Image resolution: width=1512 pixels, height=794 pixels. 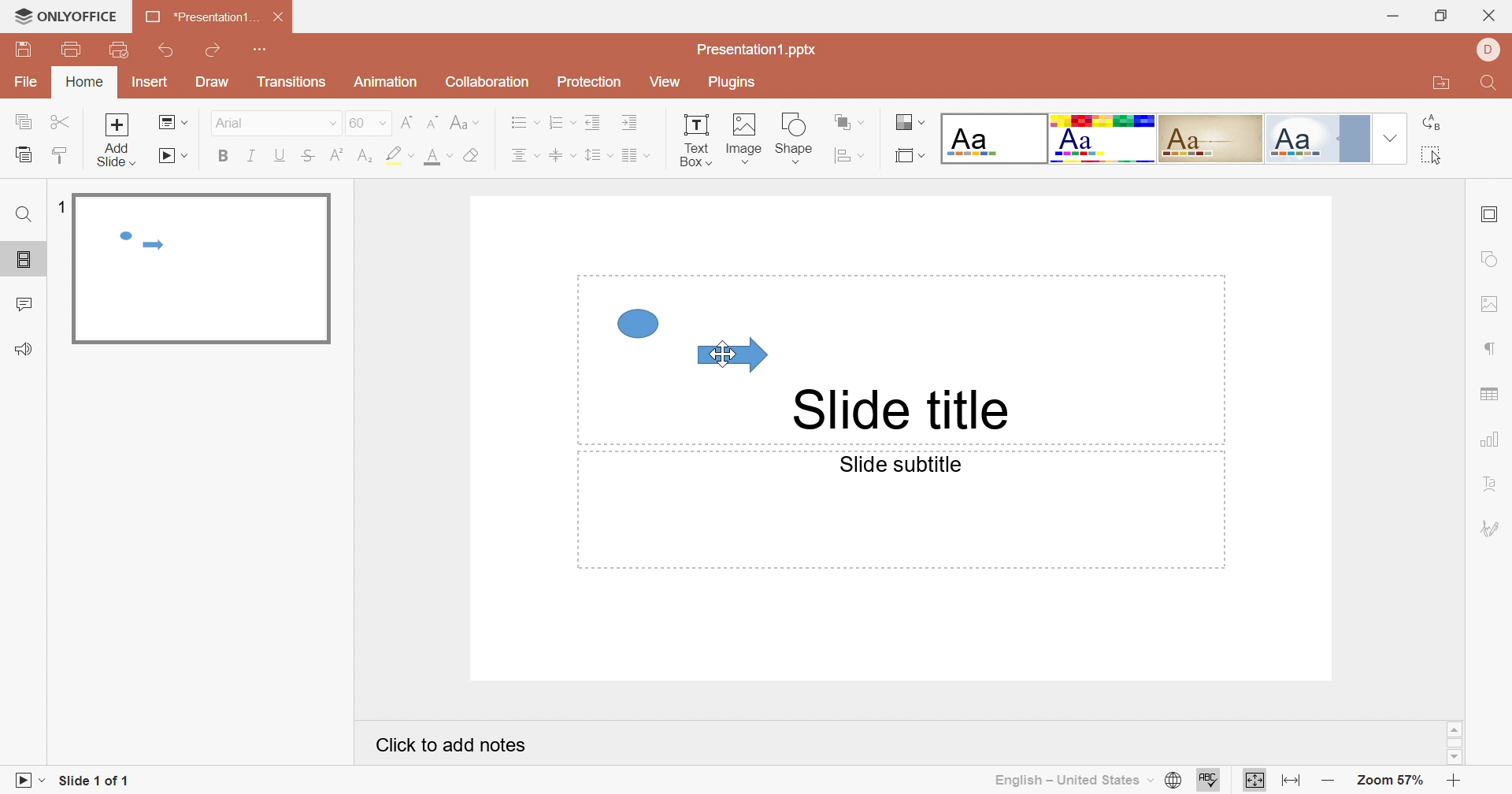 I want to click on Slide subtitle, so click(x=895, y=467).